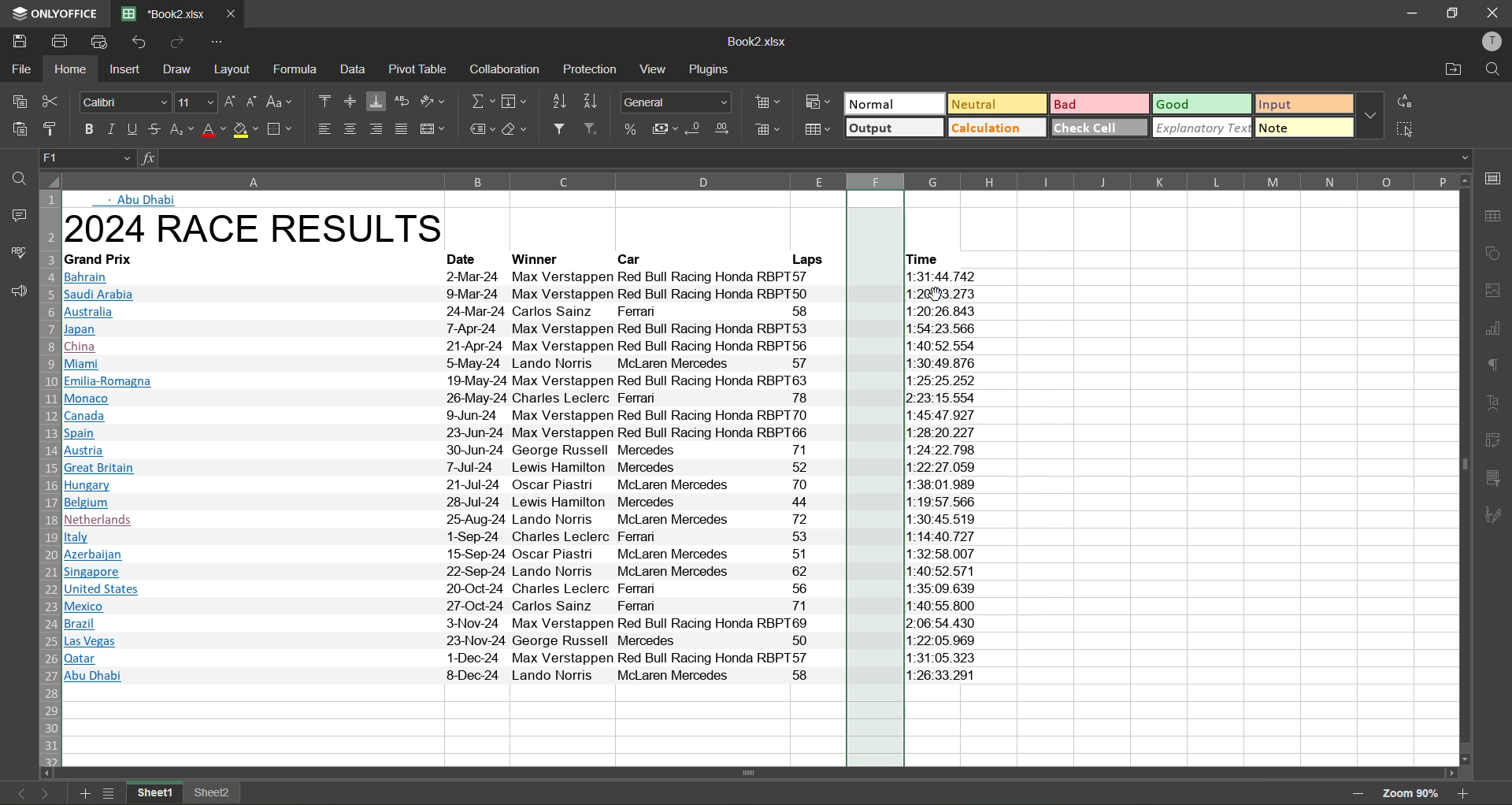  Describe the element at coordinates (943, 276) in the screenshot. I see `11°31°44 742` at that location.